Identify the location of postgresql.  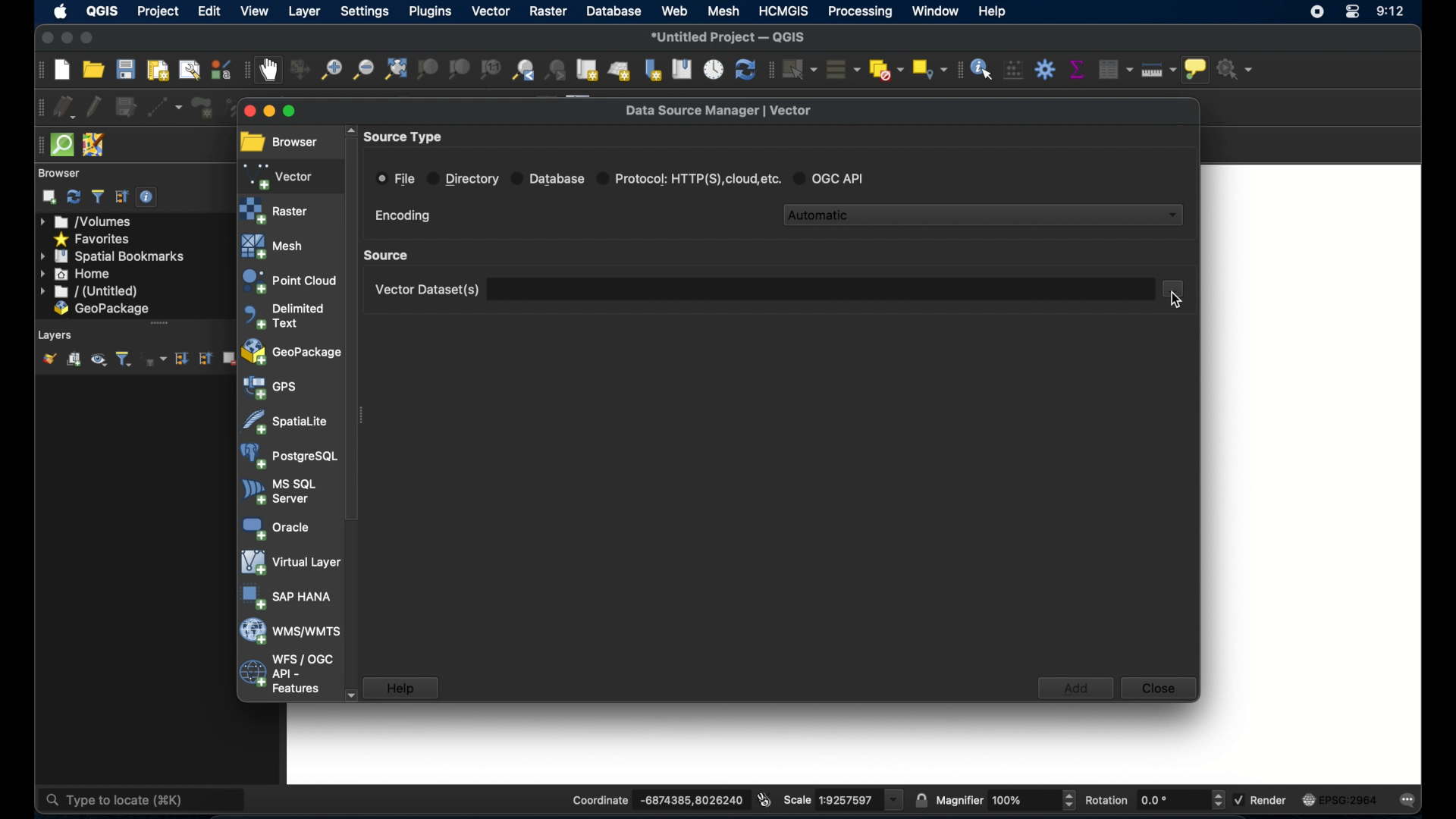
(289, 457).